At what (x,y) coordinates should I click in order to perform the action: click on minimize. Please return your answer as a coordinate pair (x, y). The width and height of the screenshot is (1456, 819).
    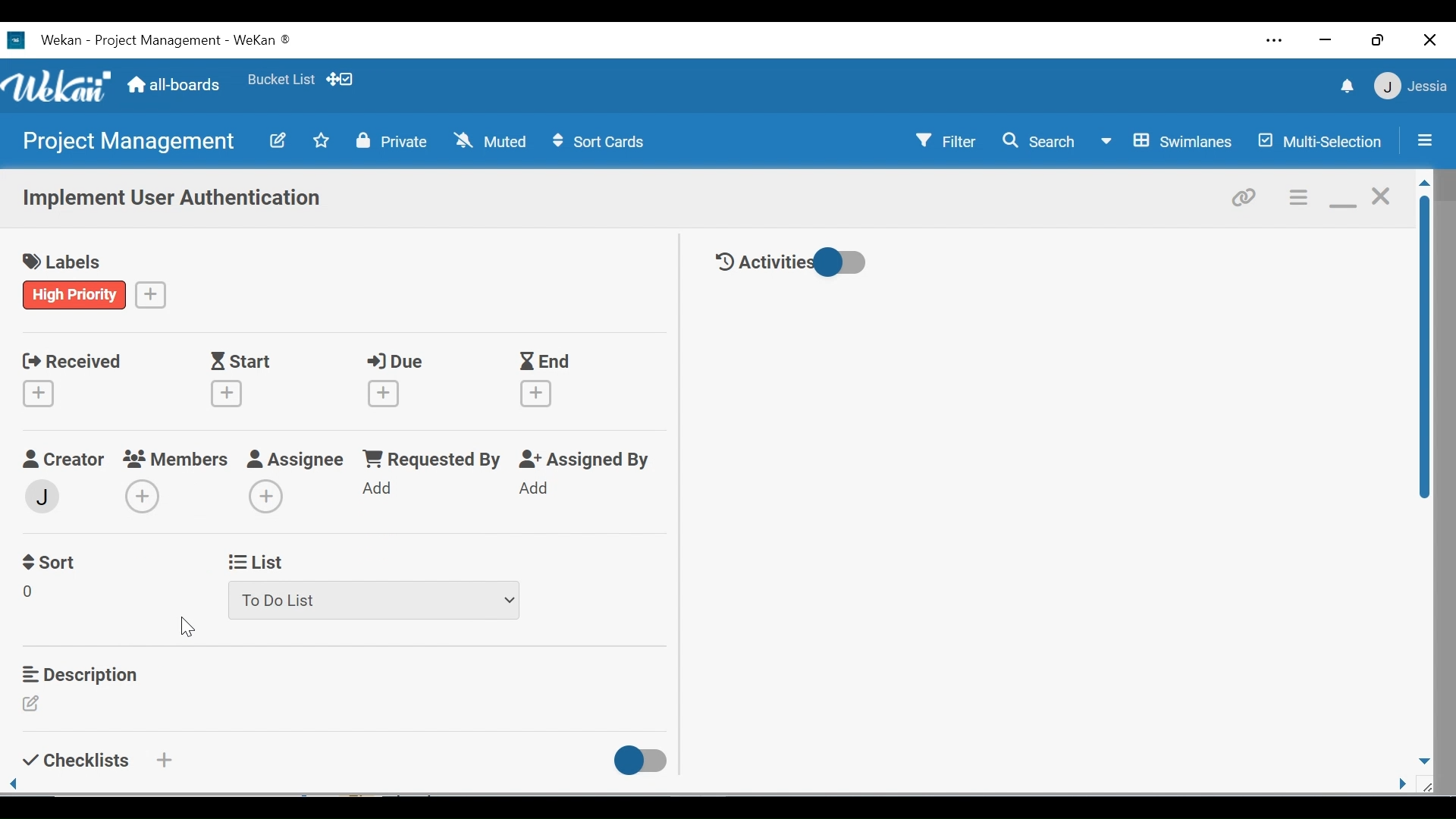
    Looking at the image, I should click on (1328, 40).